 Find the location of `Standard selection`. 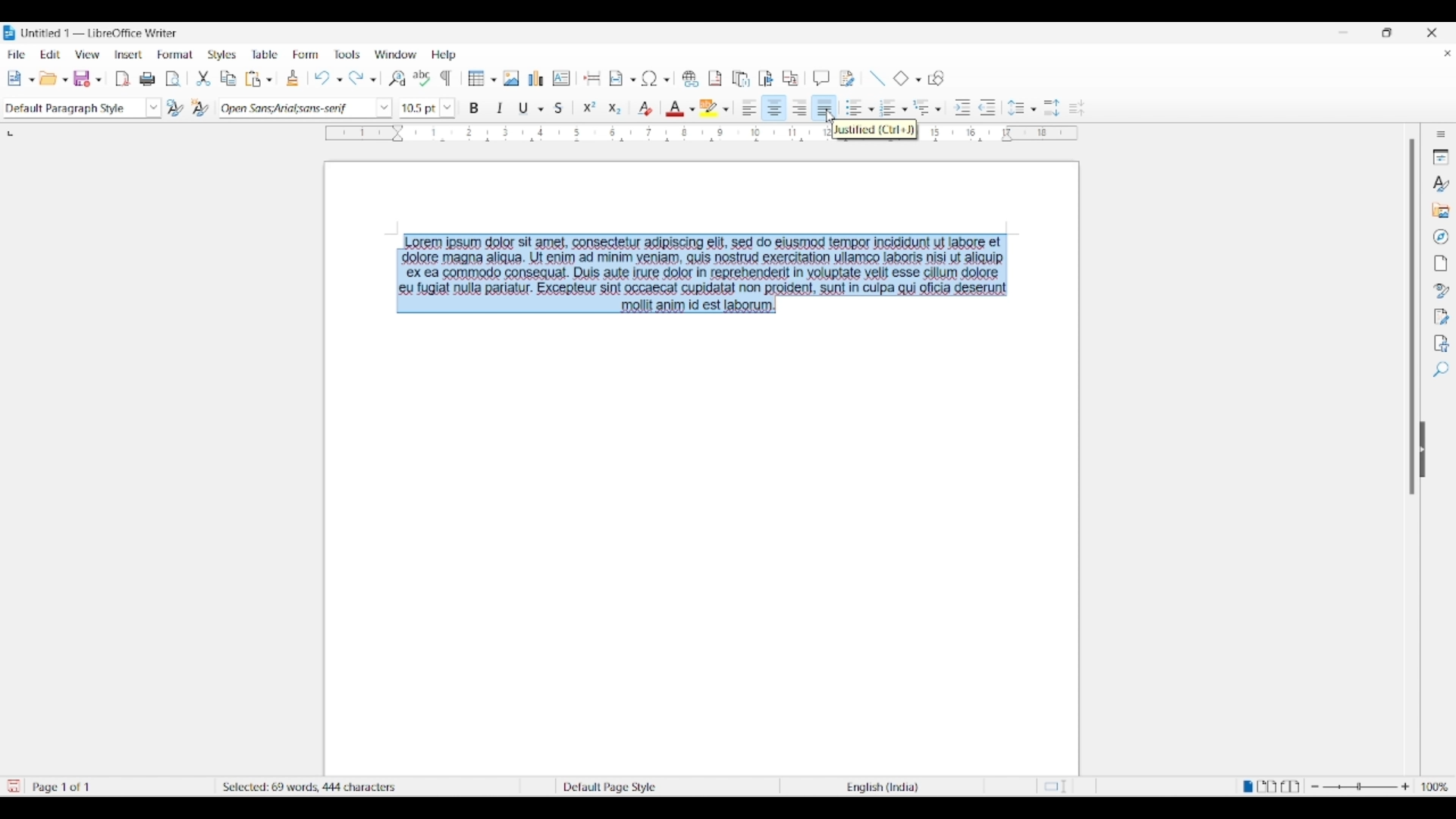

Standard selection is located at coordinates (1059, 787).